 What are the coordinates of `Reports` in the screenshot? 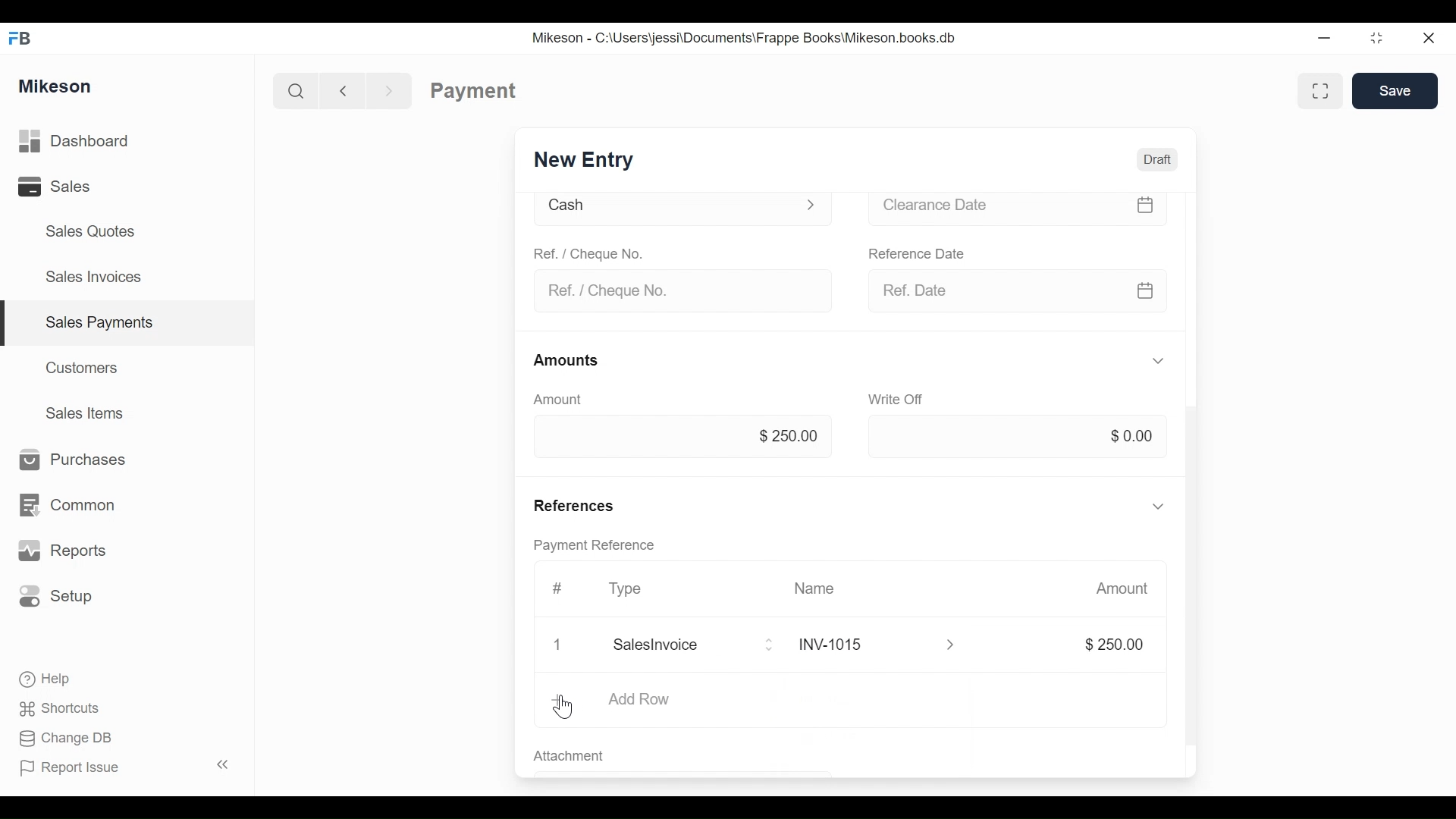 It's located at (65, 551).